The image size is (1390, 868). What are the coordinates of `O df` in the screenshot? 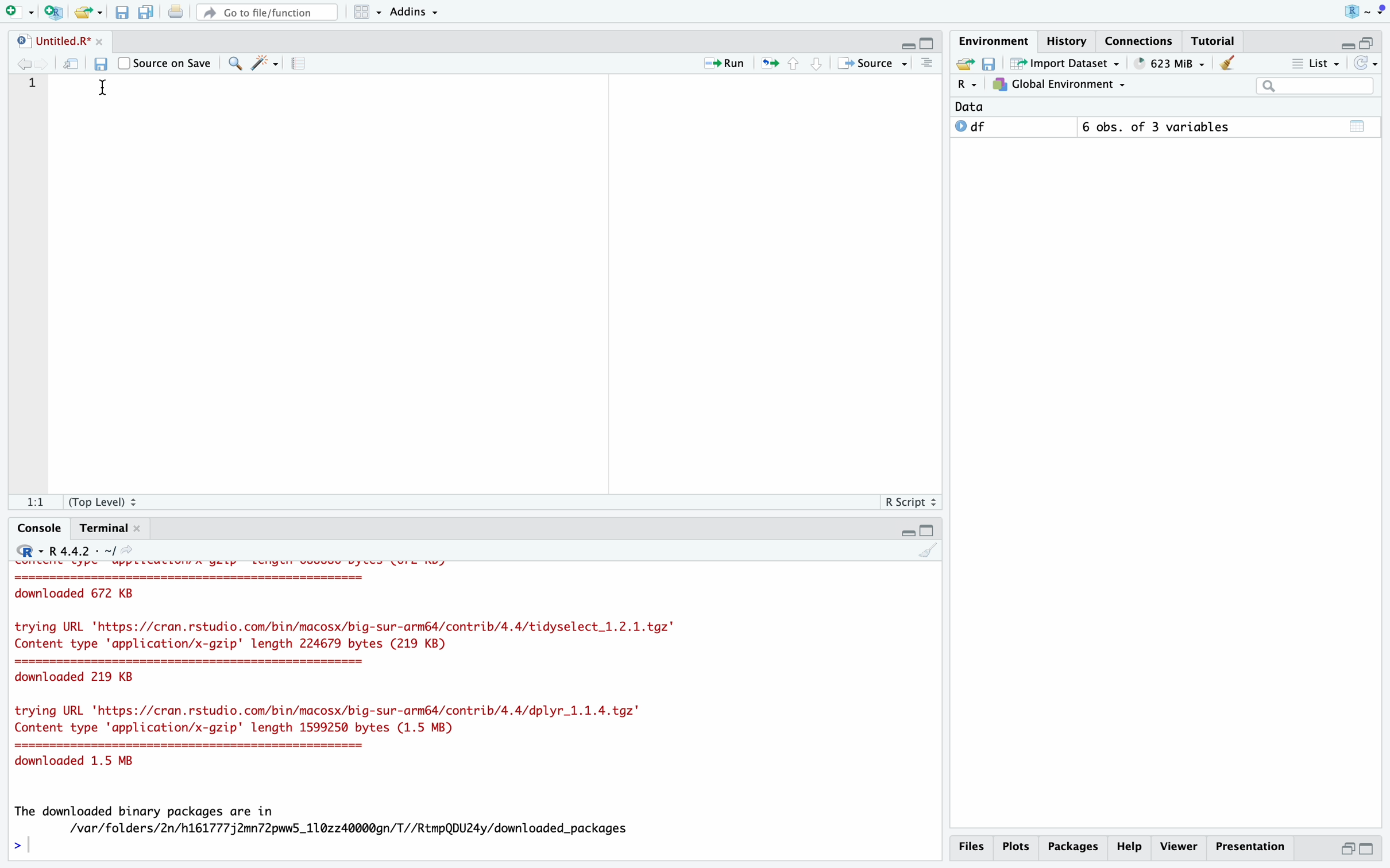 It's located at (1013, 127).